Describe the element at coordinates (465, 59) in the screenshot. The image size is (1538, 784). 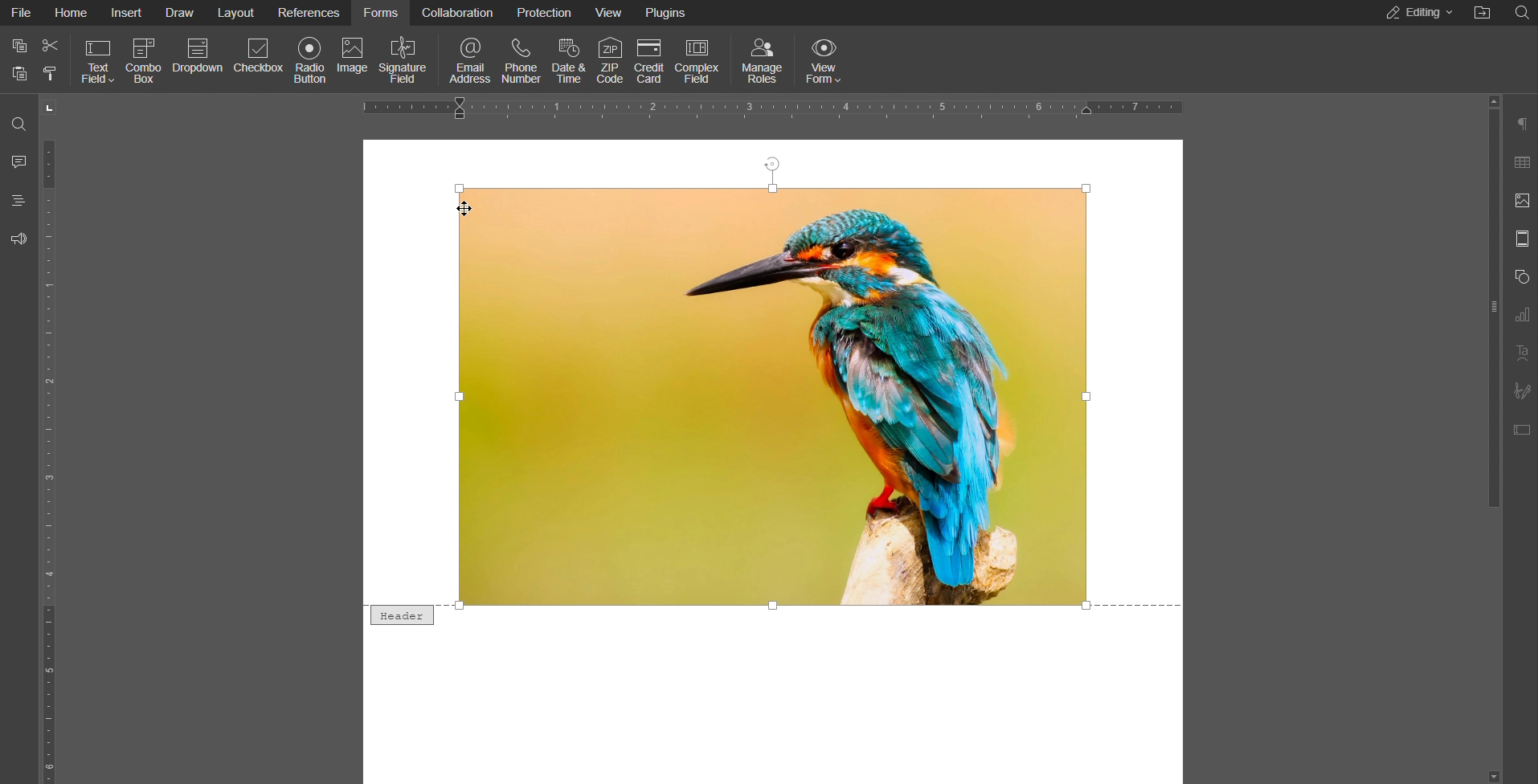
I see `Email Address` at that location.